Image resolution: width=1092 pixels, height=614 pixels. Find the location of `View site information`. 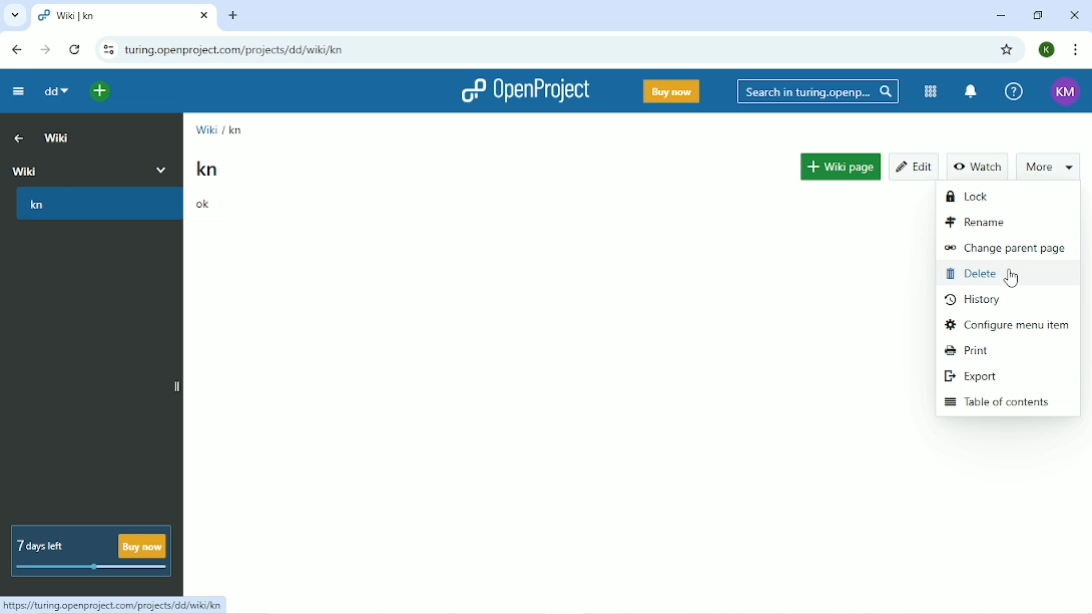

View site information is located at coordinates (107, 51).